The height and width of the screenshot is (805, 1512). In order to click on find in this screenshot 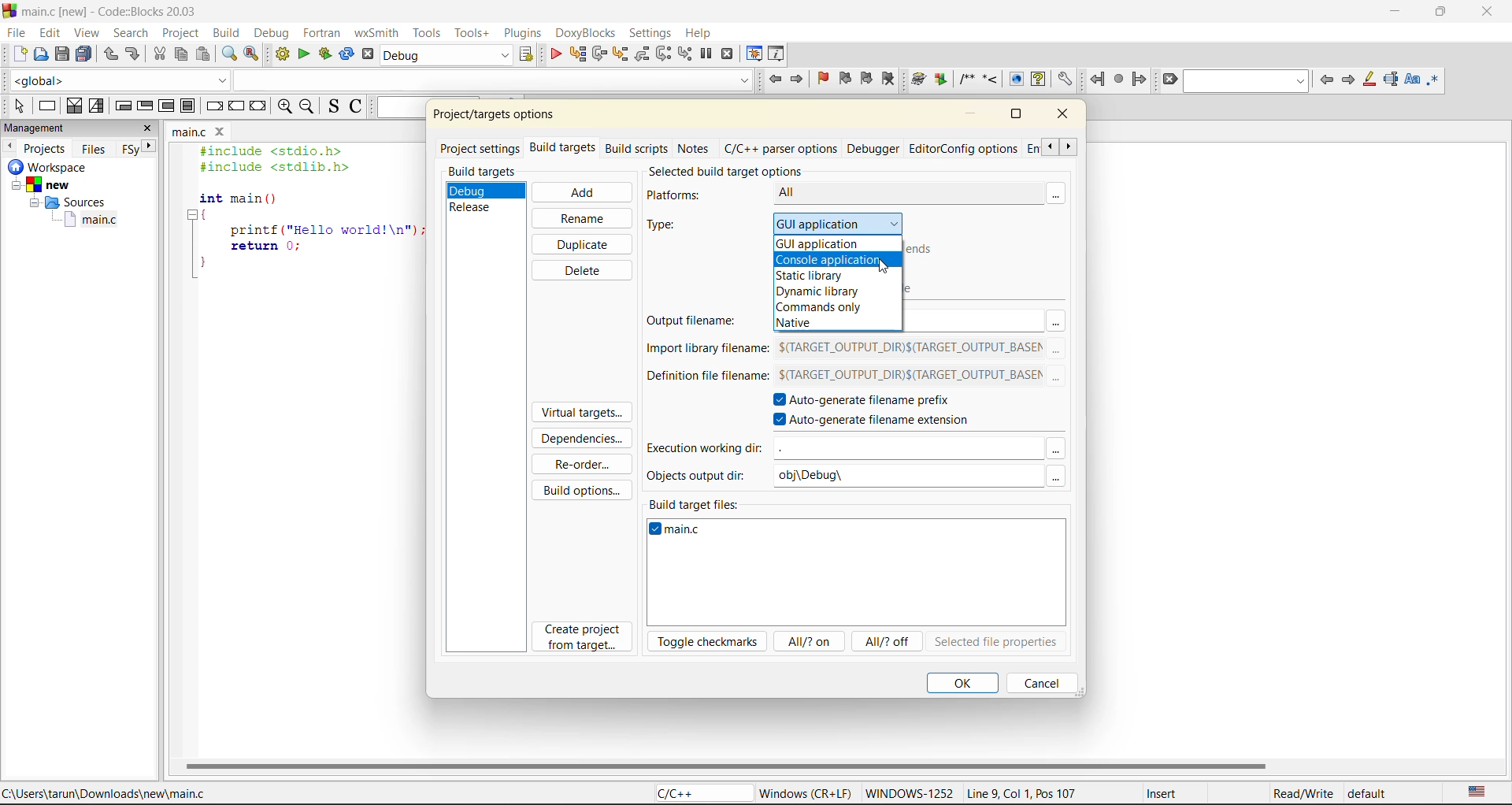, I will do `click(230, 54)`.